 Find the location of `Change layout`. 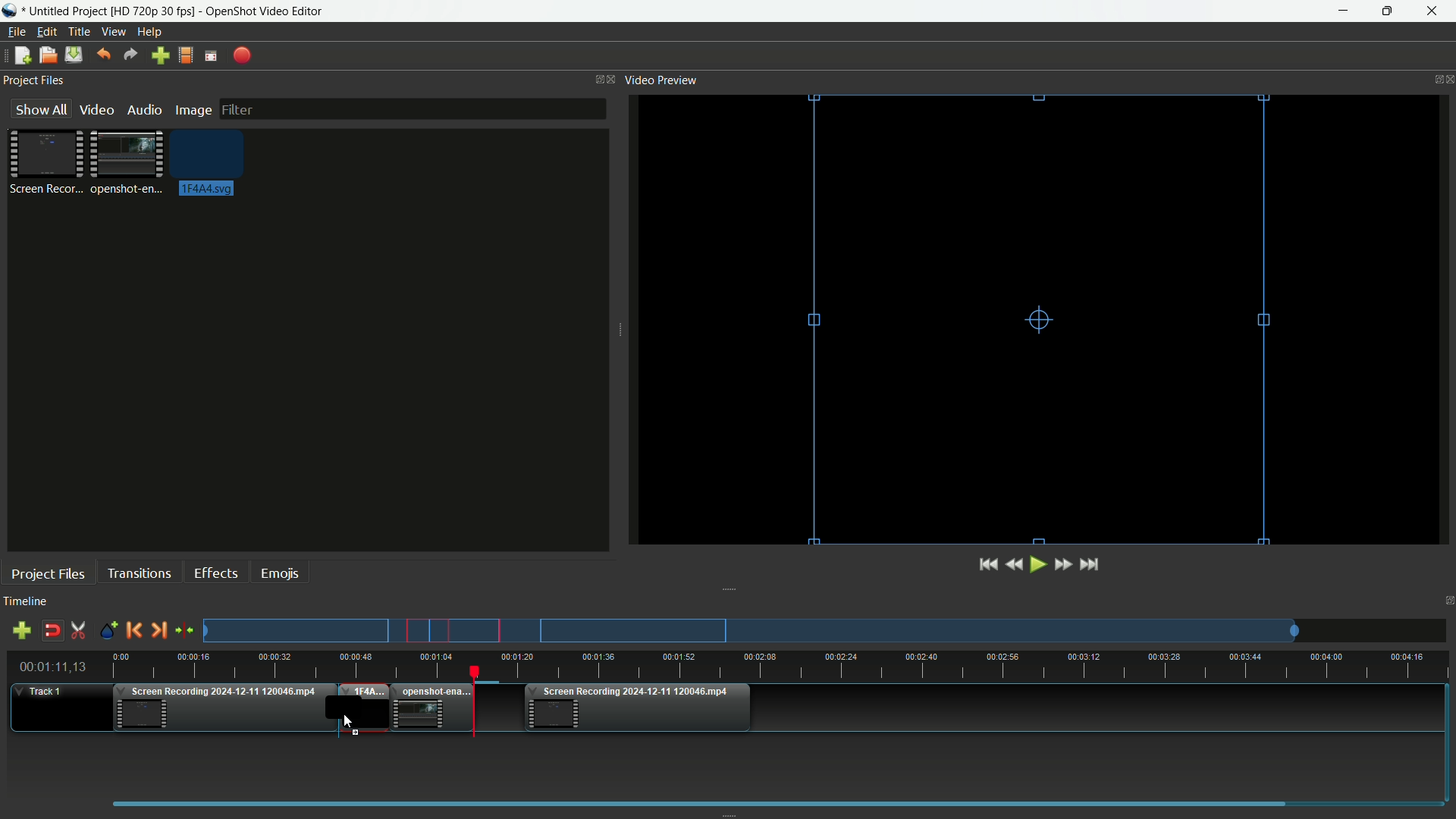

Change layout is located at coordinates (595, 80).